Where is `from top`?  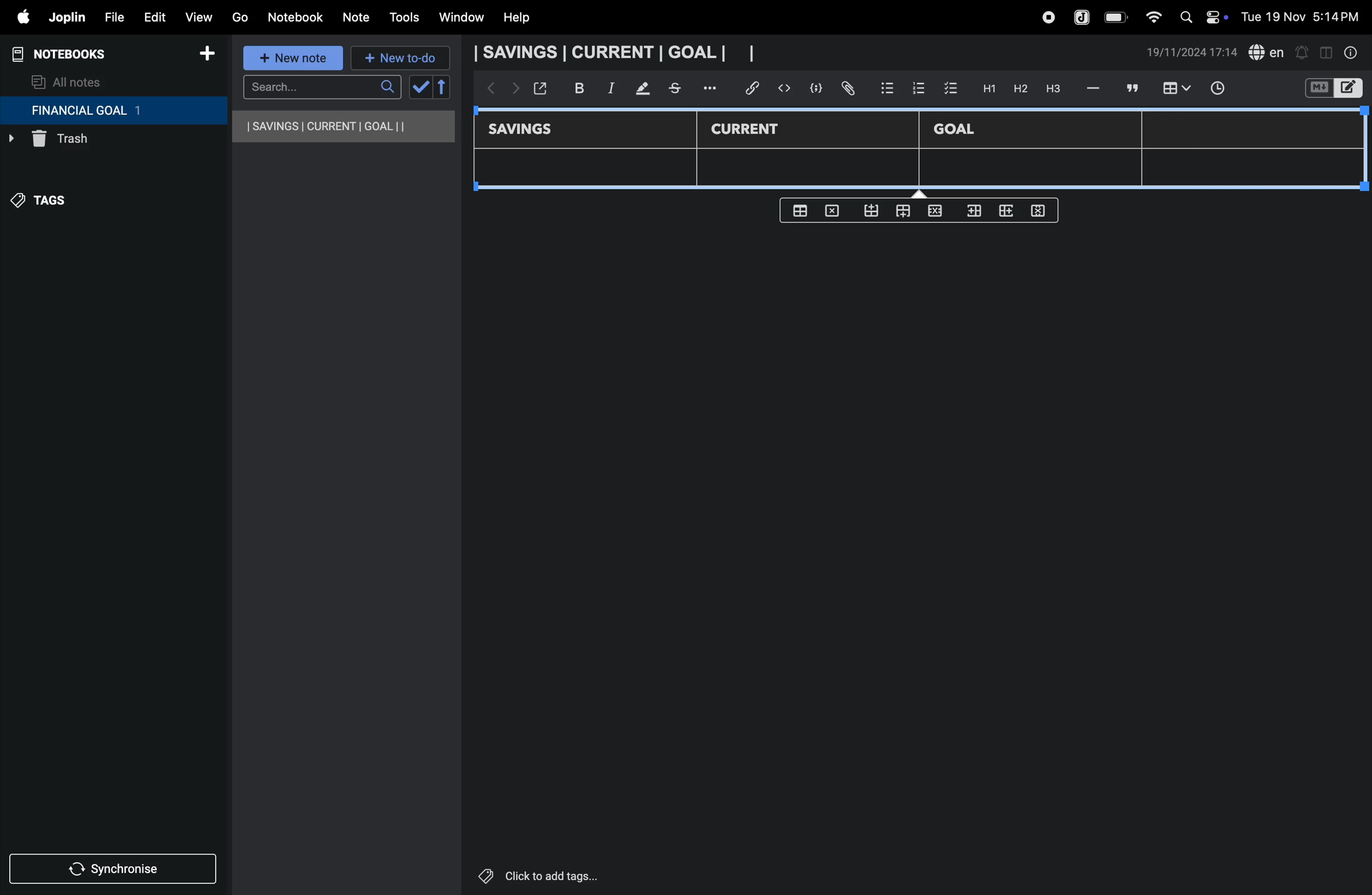
from top is located at coordinates (900, 212).